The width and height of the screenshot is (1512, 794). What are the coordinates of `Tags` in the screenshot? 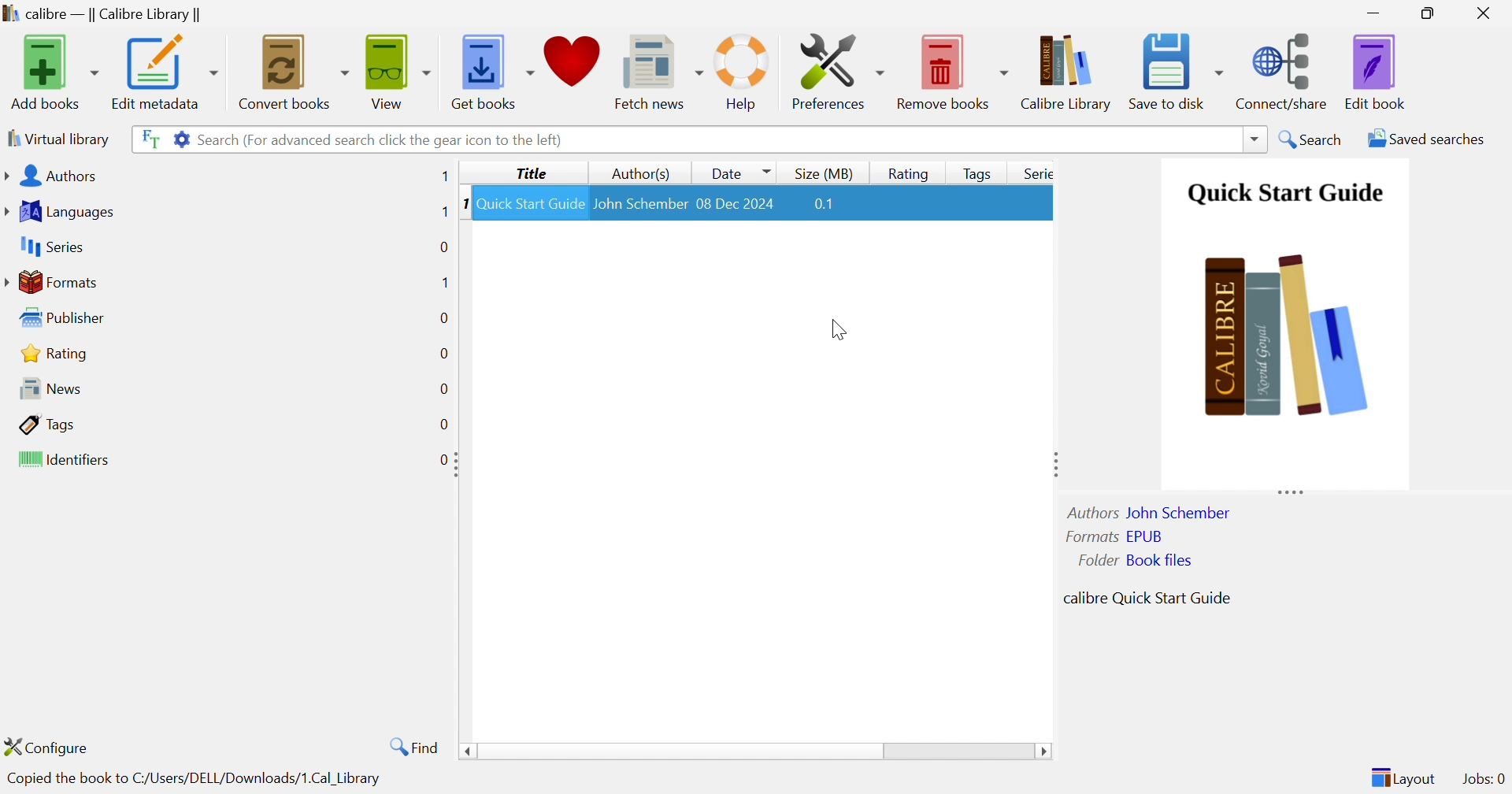 It's located at (973, 171).